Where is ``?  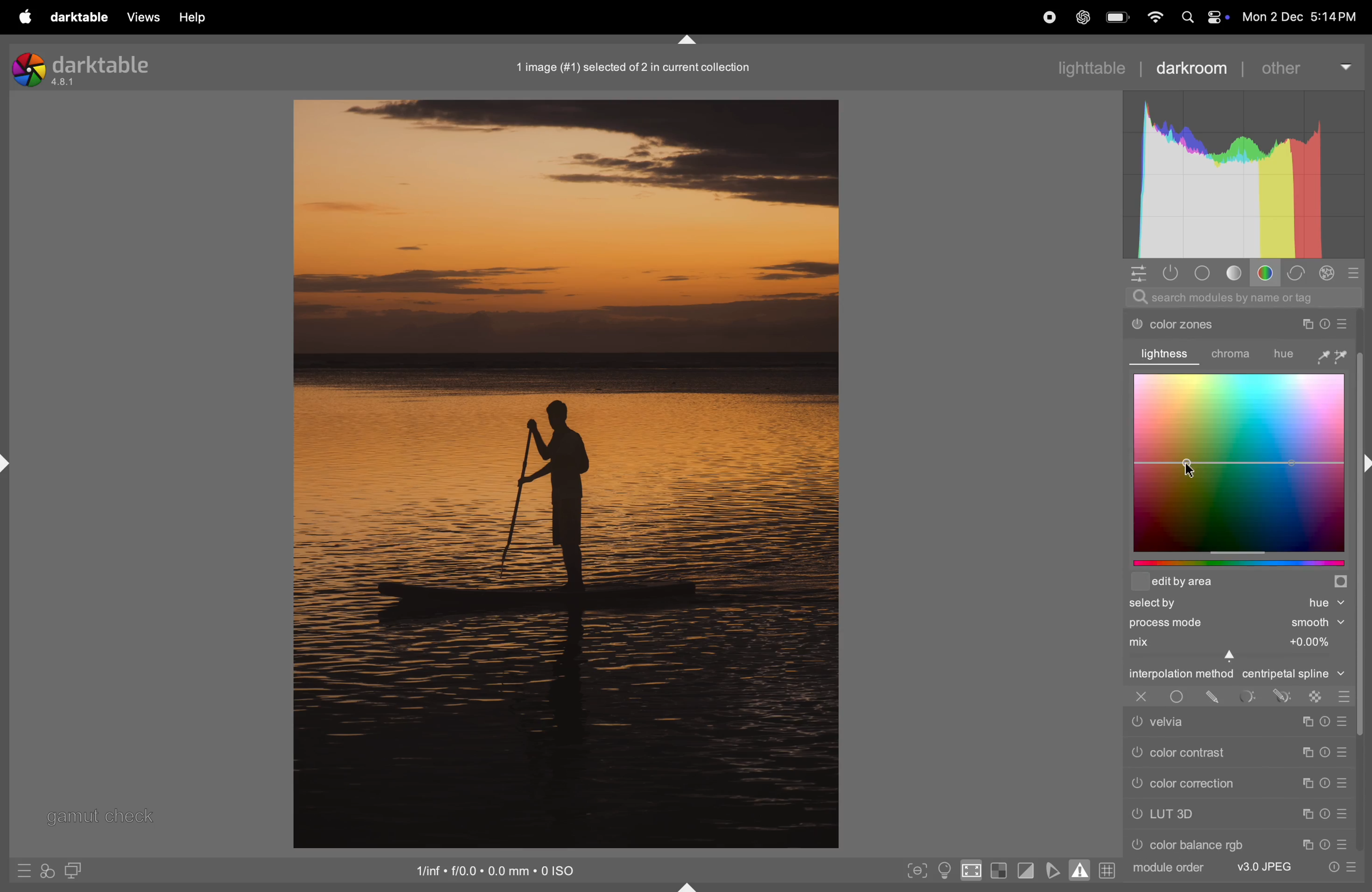
 is located at coordinates (1143, 695).